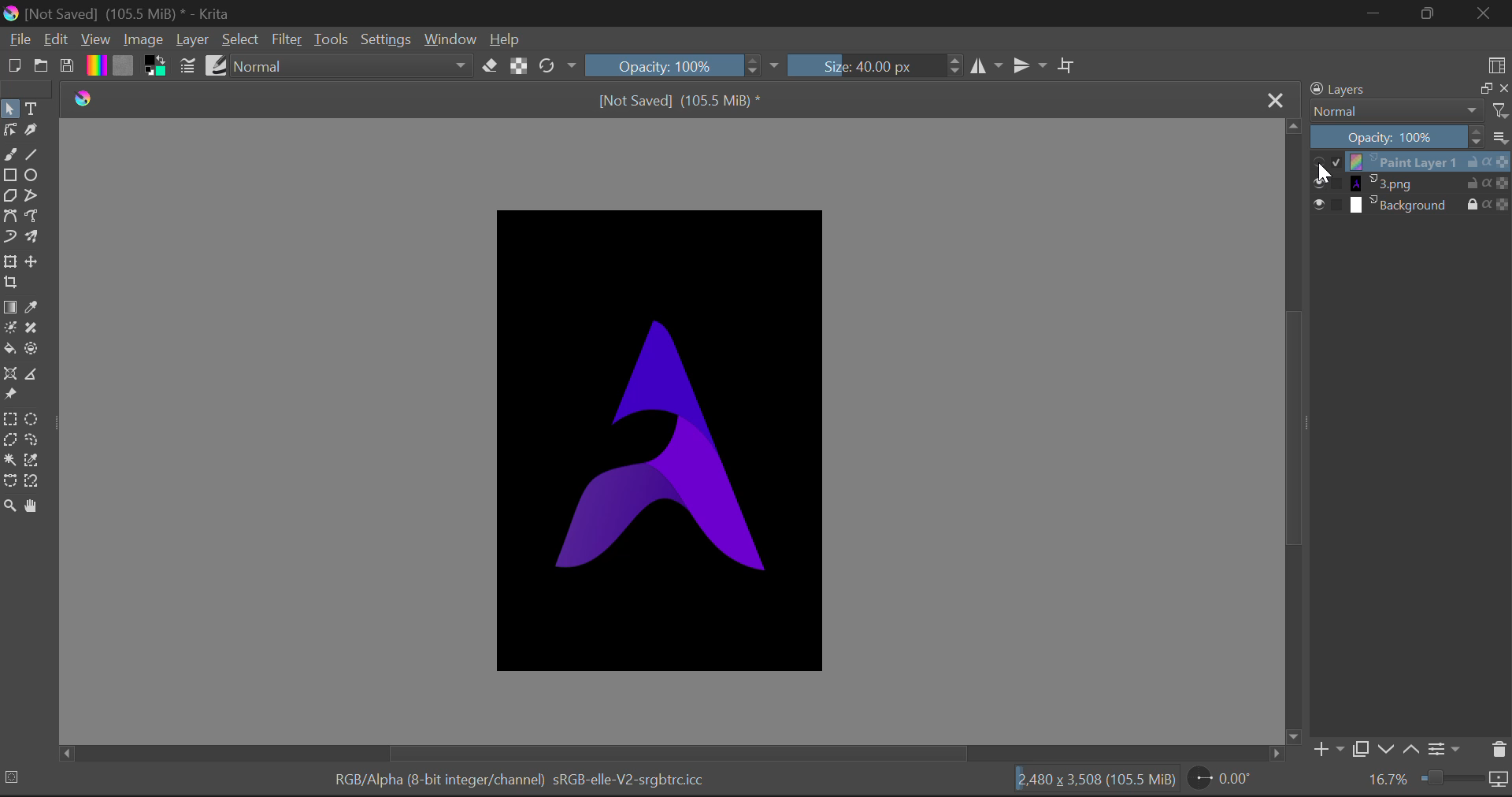 This screenshot has width=1512, height=797. Describe the element at coordinates (863, 67) in the screenshot. I see `Brush Size` at that location.